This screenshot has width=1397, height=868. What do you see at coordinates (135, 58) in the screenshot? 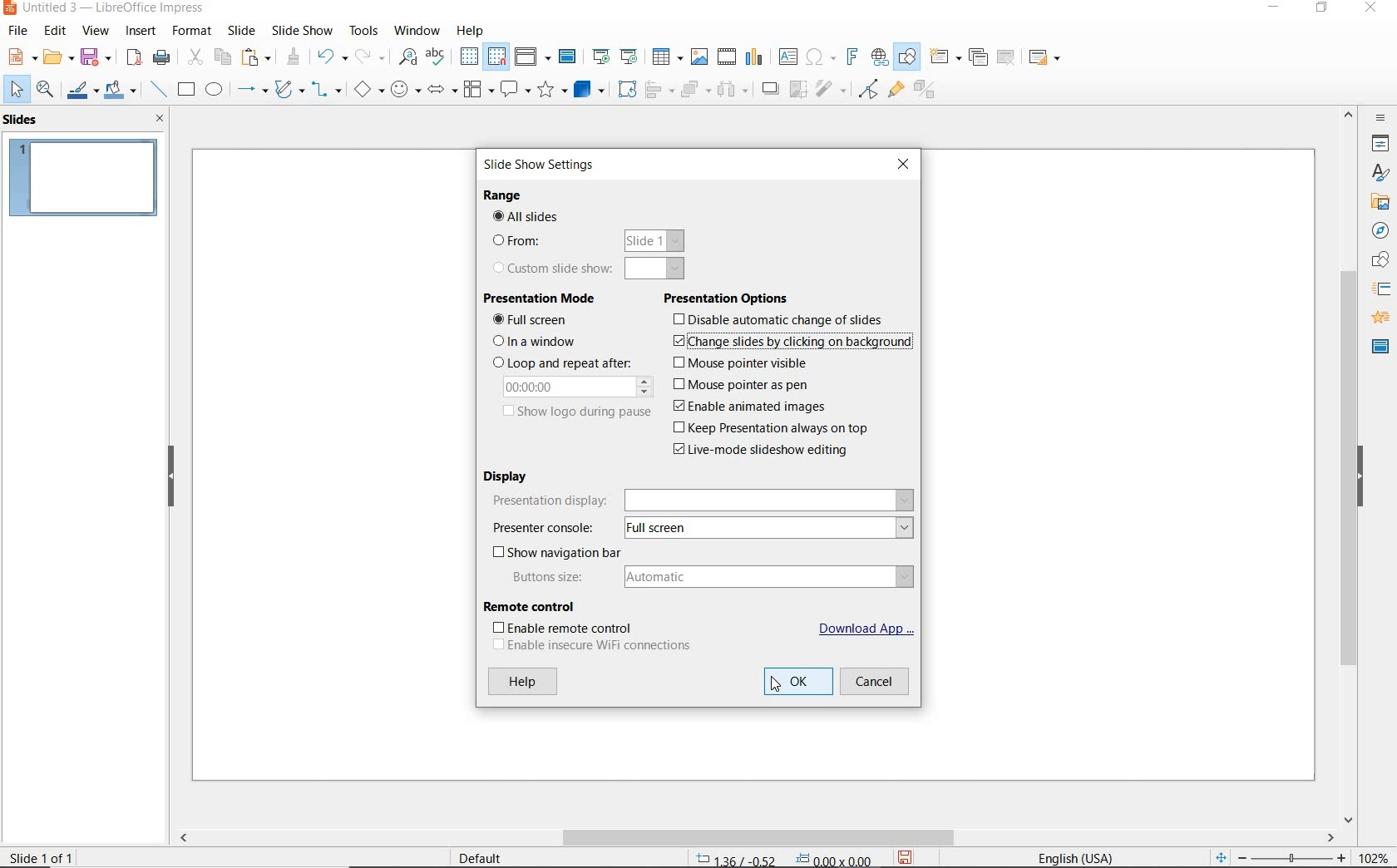
I see `EXPORT AS PDF` at bounding box center [135, 58].